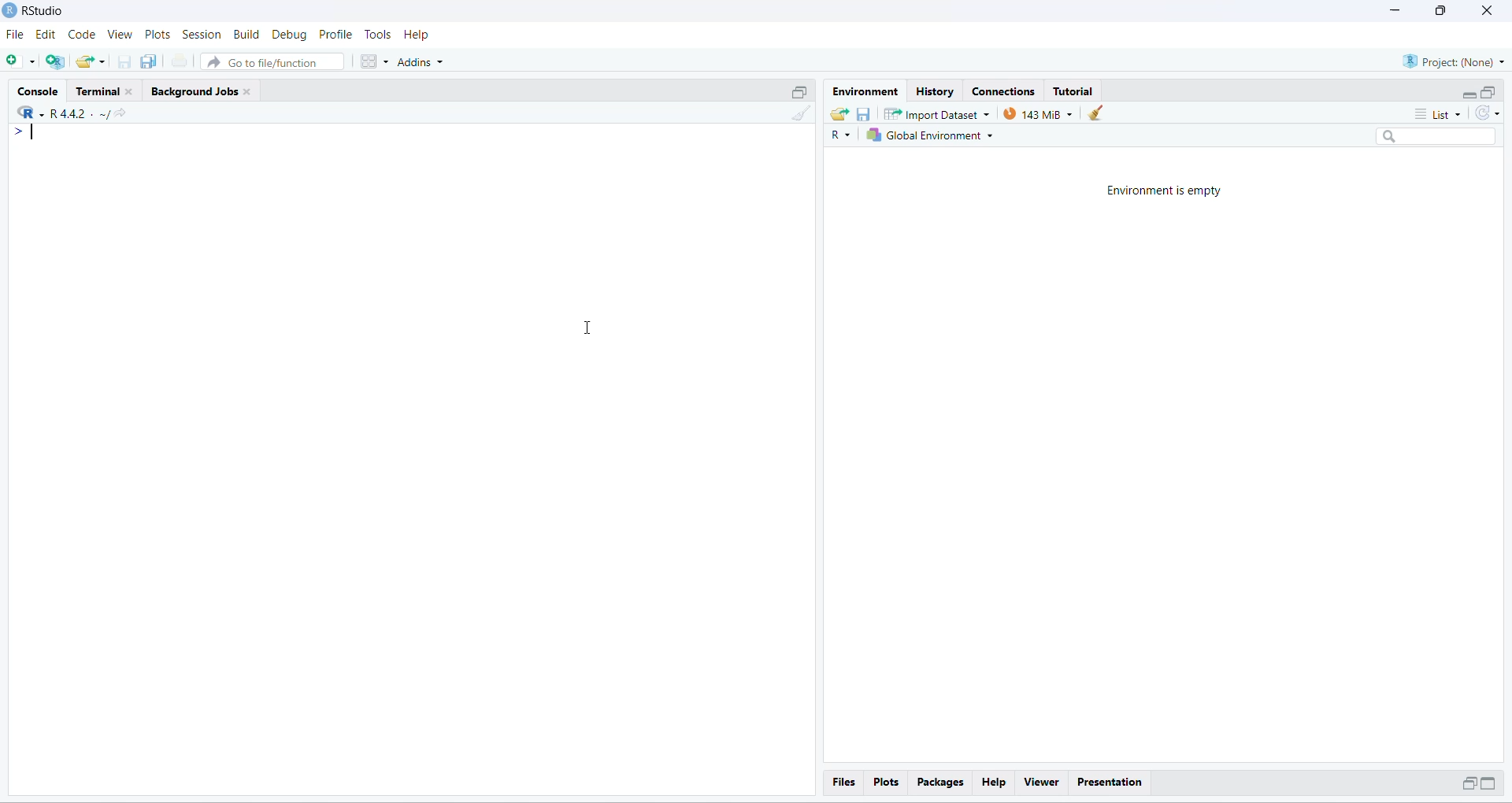  I want to click on console, so click(41, 92).